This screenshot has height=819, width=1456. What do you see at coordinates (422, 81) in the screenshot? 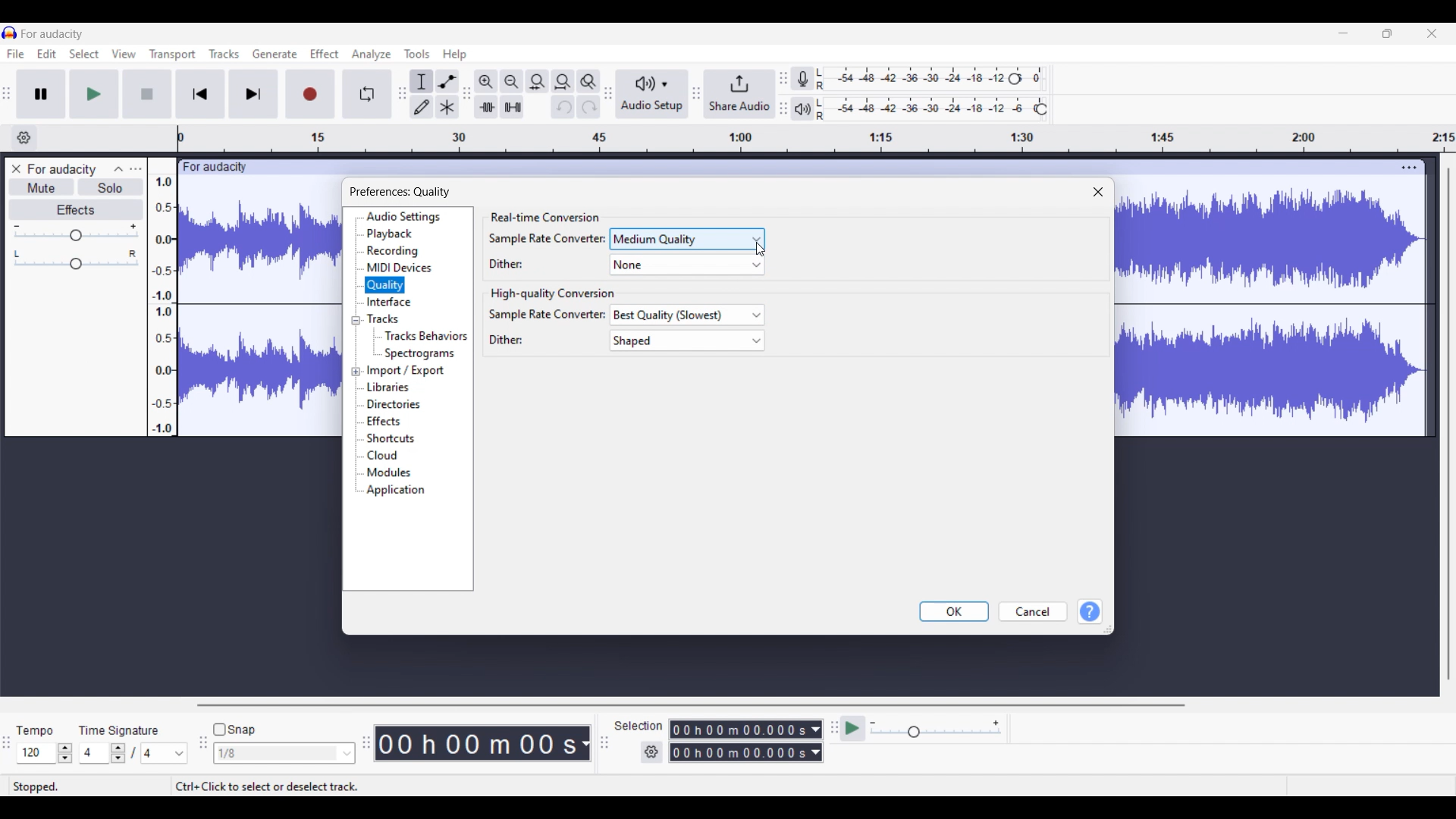
I see `Selection tool` at bounding box center [422, 81].